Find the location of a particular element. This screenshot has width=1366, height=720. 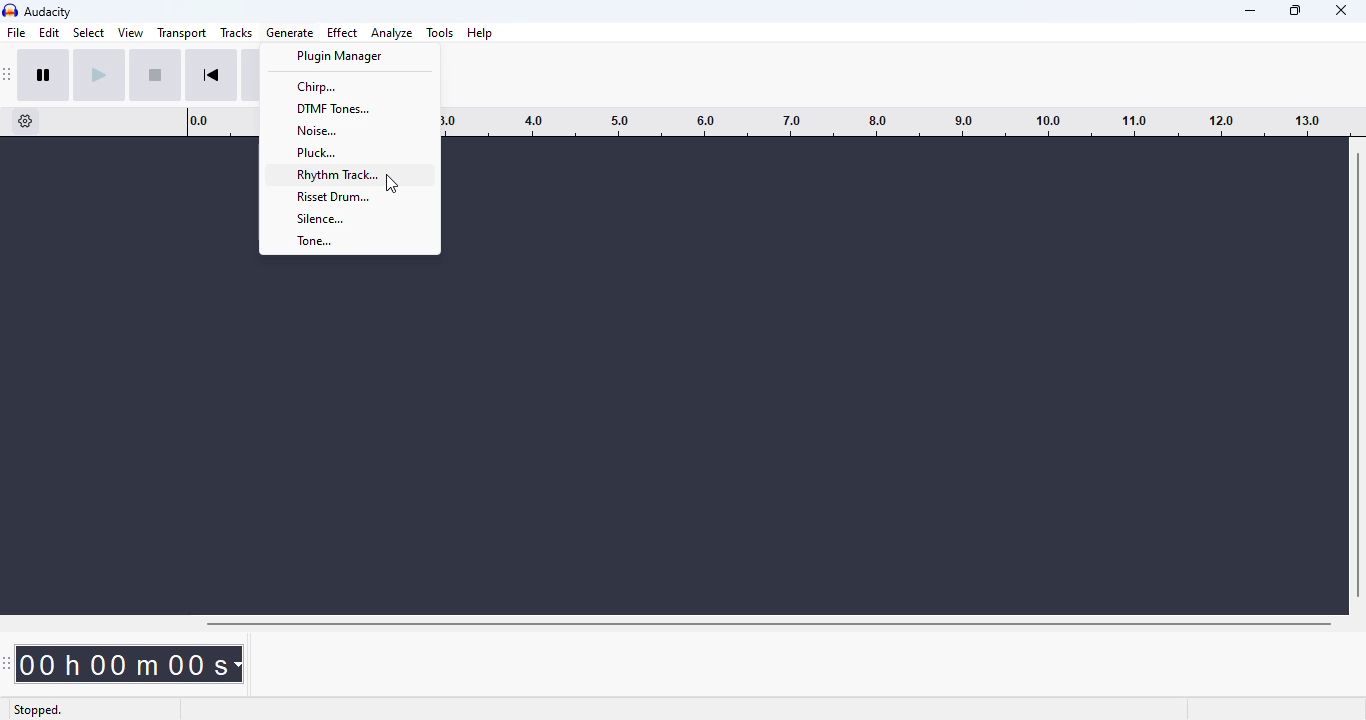

time is located at coordinates (130, 664).